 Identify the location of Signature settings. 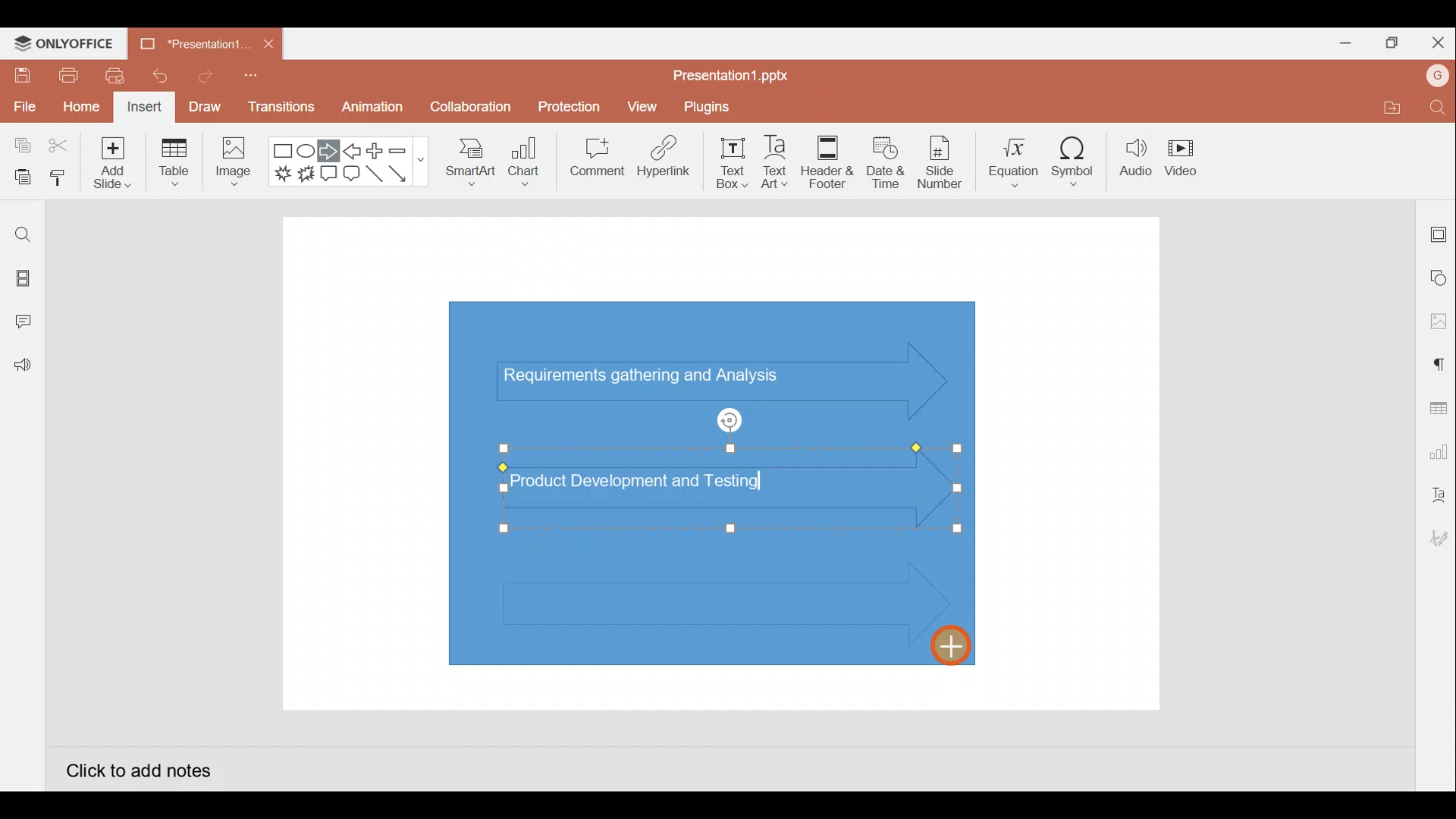
(1436, 540).